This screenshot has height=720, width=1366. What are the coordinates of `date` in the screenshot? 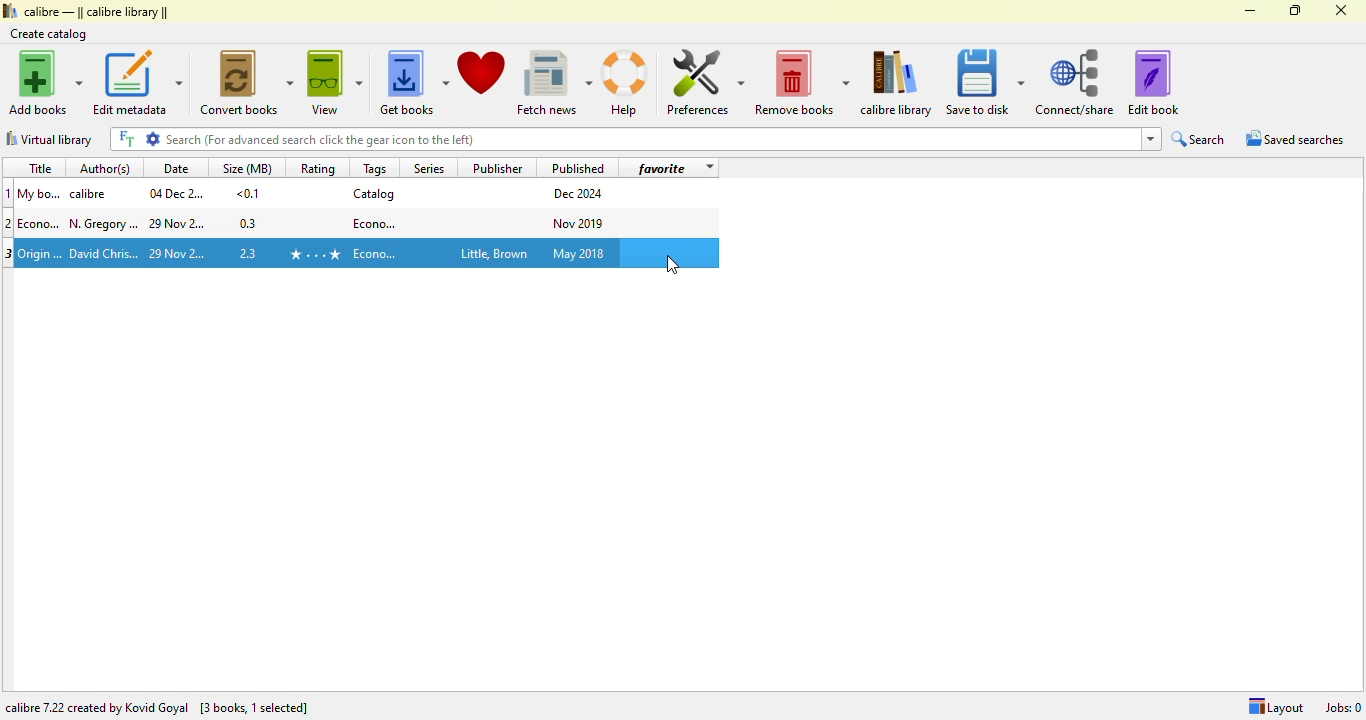 It's located at (176, 193).